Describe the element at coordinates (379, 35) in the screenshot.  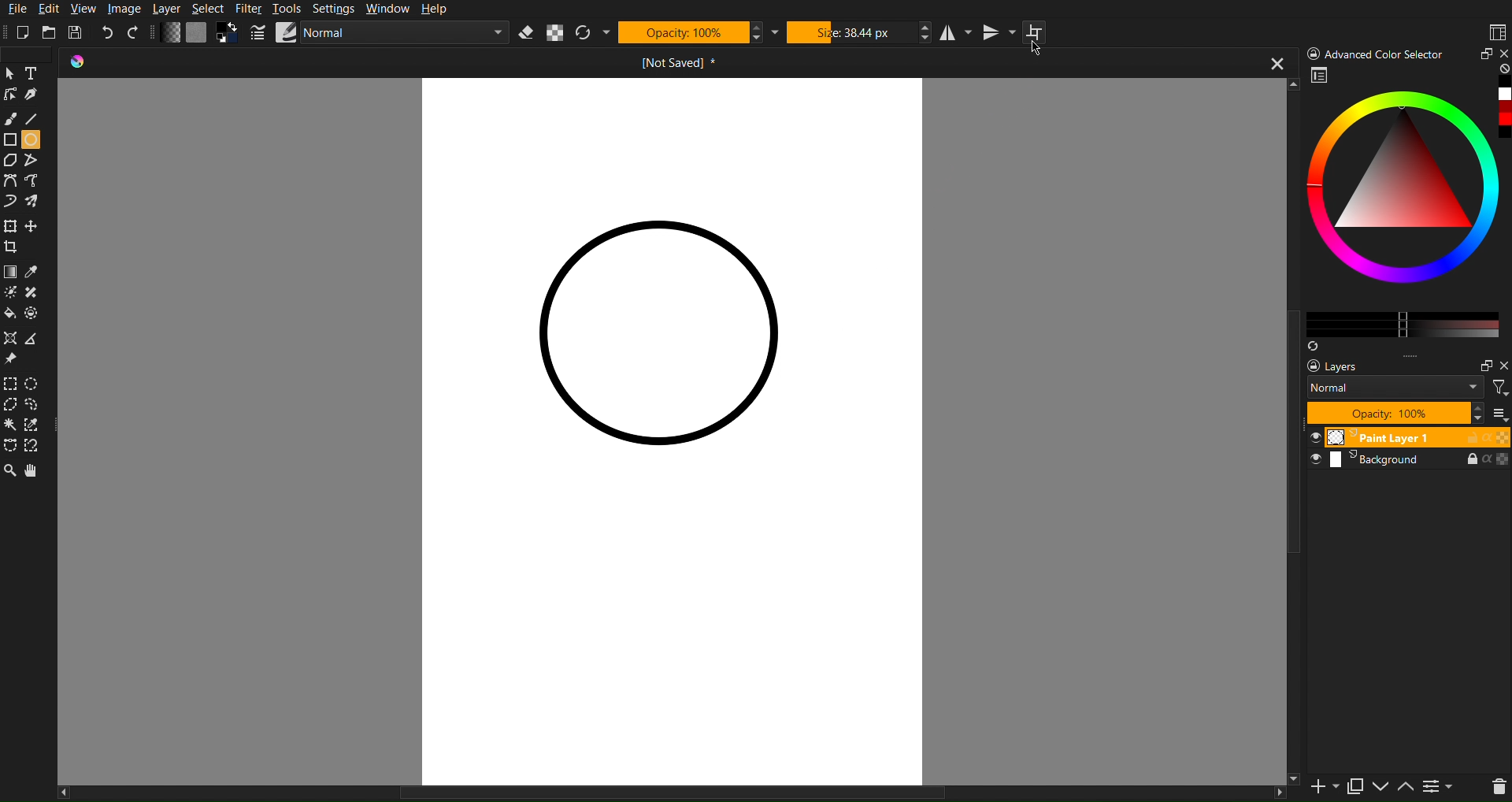
I see `Brush Settings` at that location.